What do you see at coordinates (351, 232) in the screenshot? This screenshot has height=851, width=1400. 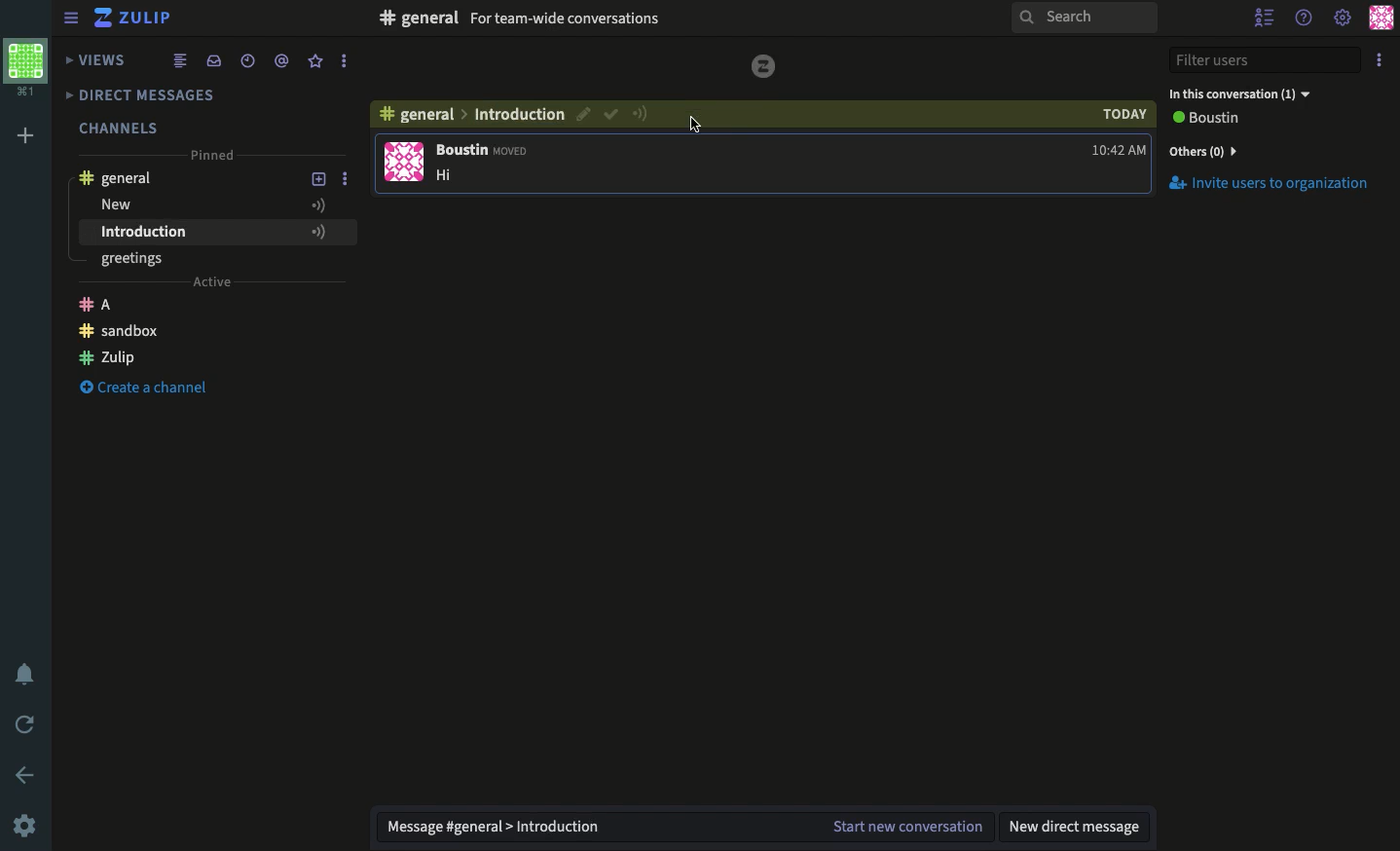 I see `More Options` at bounding box center [351, 232].